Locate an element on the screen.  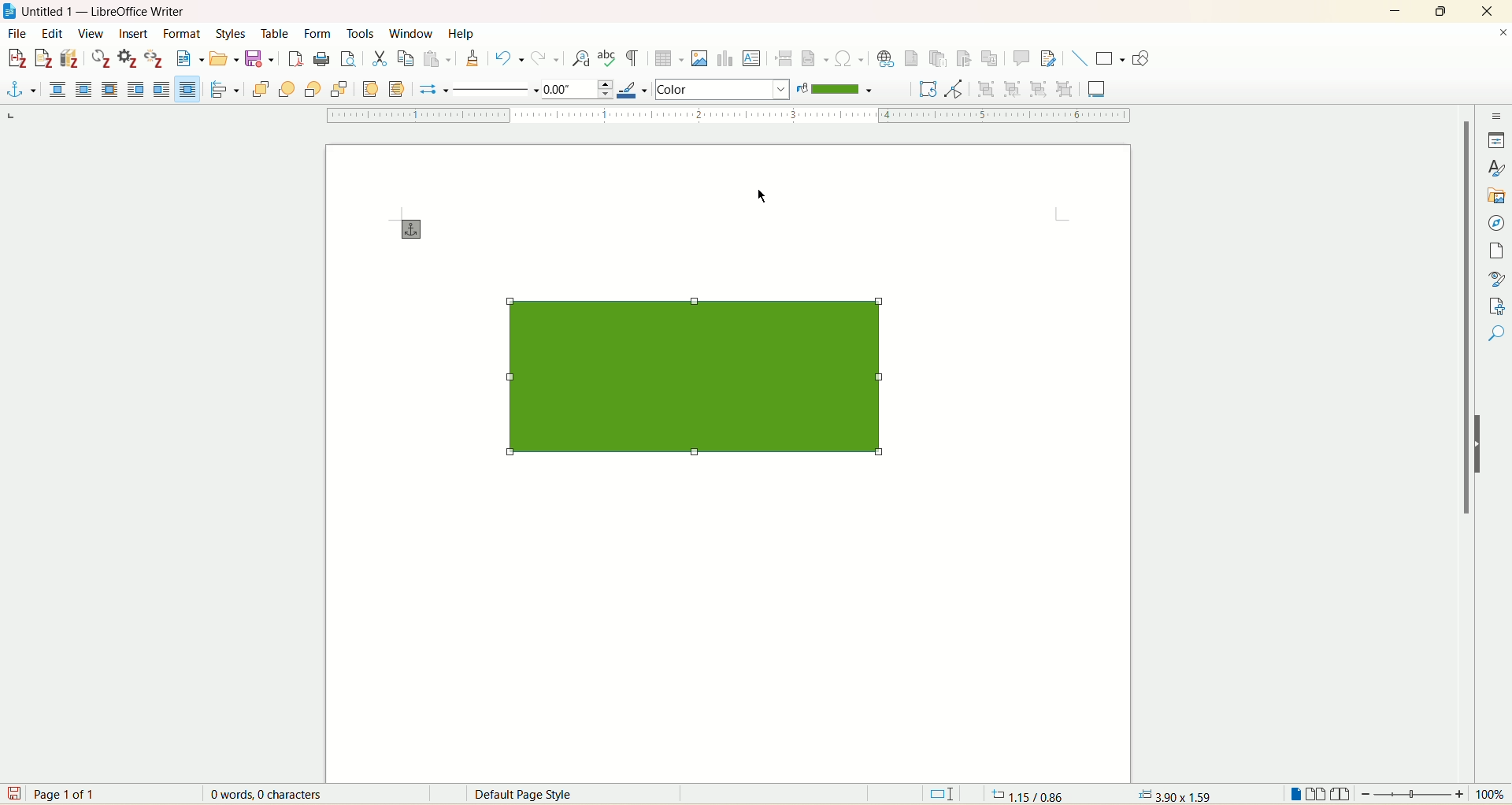
paste is located at coordinates (438, 58).